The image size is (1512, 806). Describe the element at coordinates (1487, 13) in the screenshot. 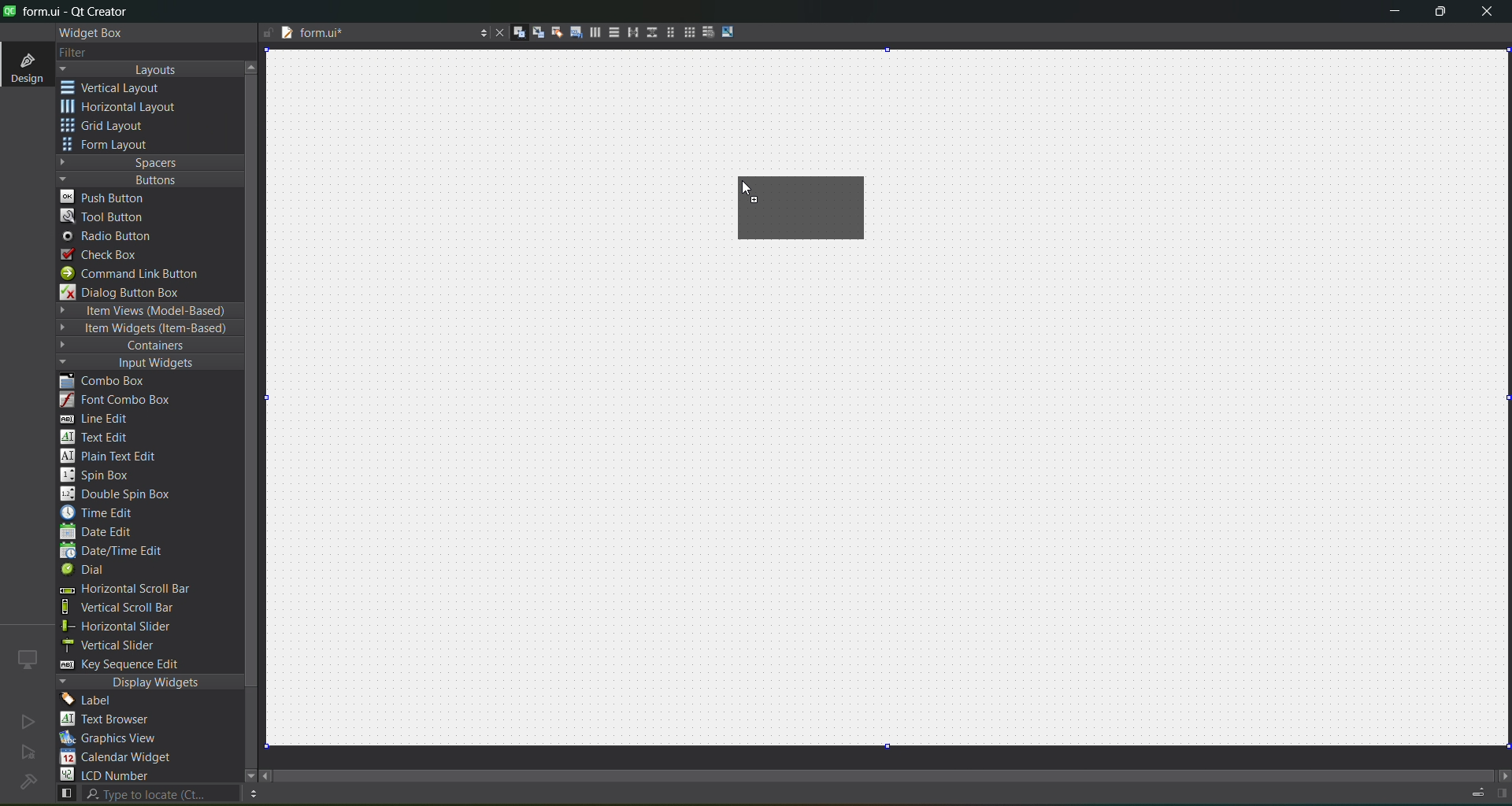

I see `close` at that location.